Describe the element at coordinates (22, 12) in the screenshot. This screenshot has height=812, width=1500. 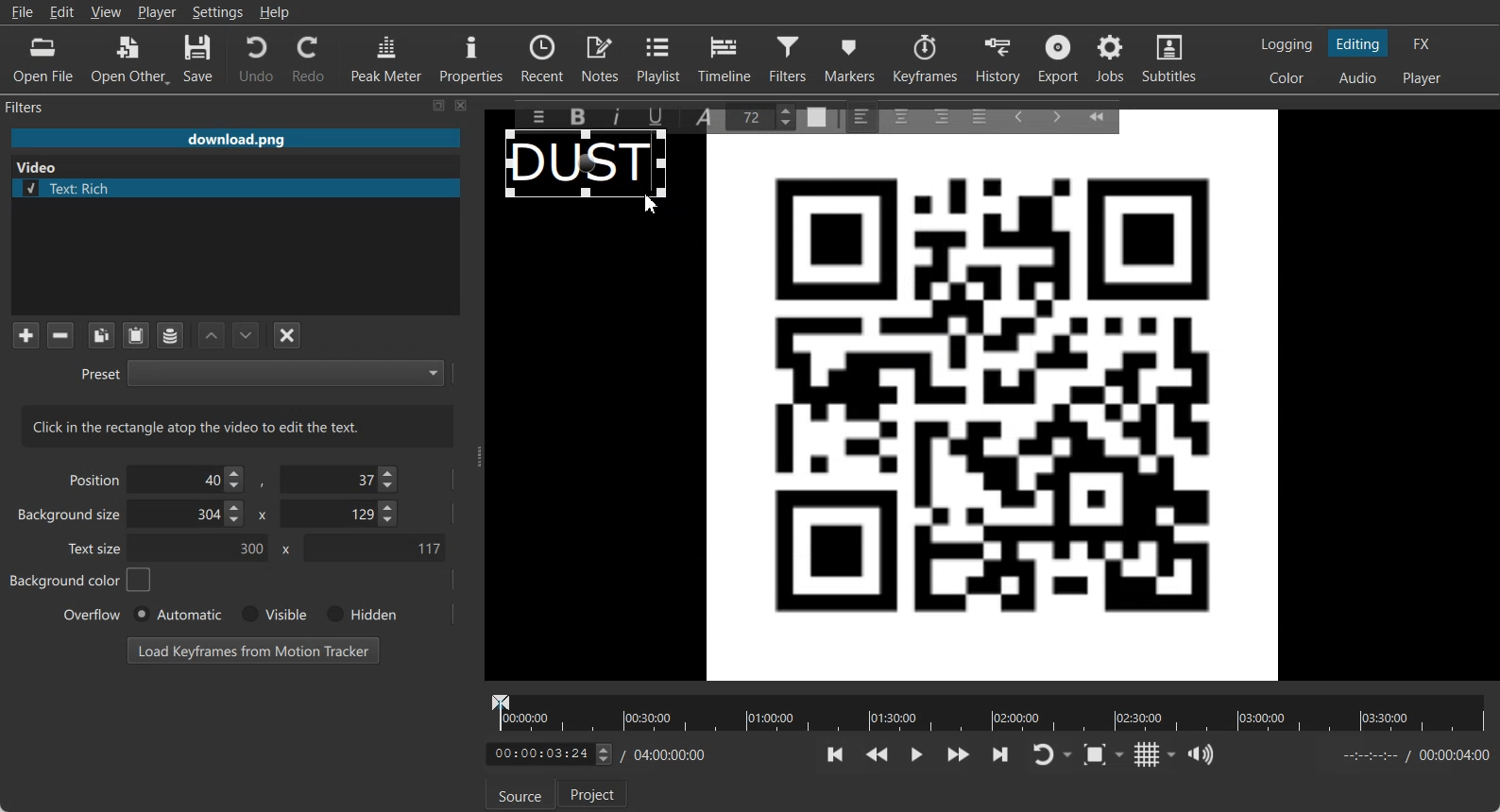
I see `File` at that location.